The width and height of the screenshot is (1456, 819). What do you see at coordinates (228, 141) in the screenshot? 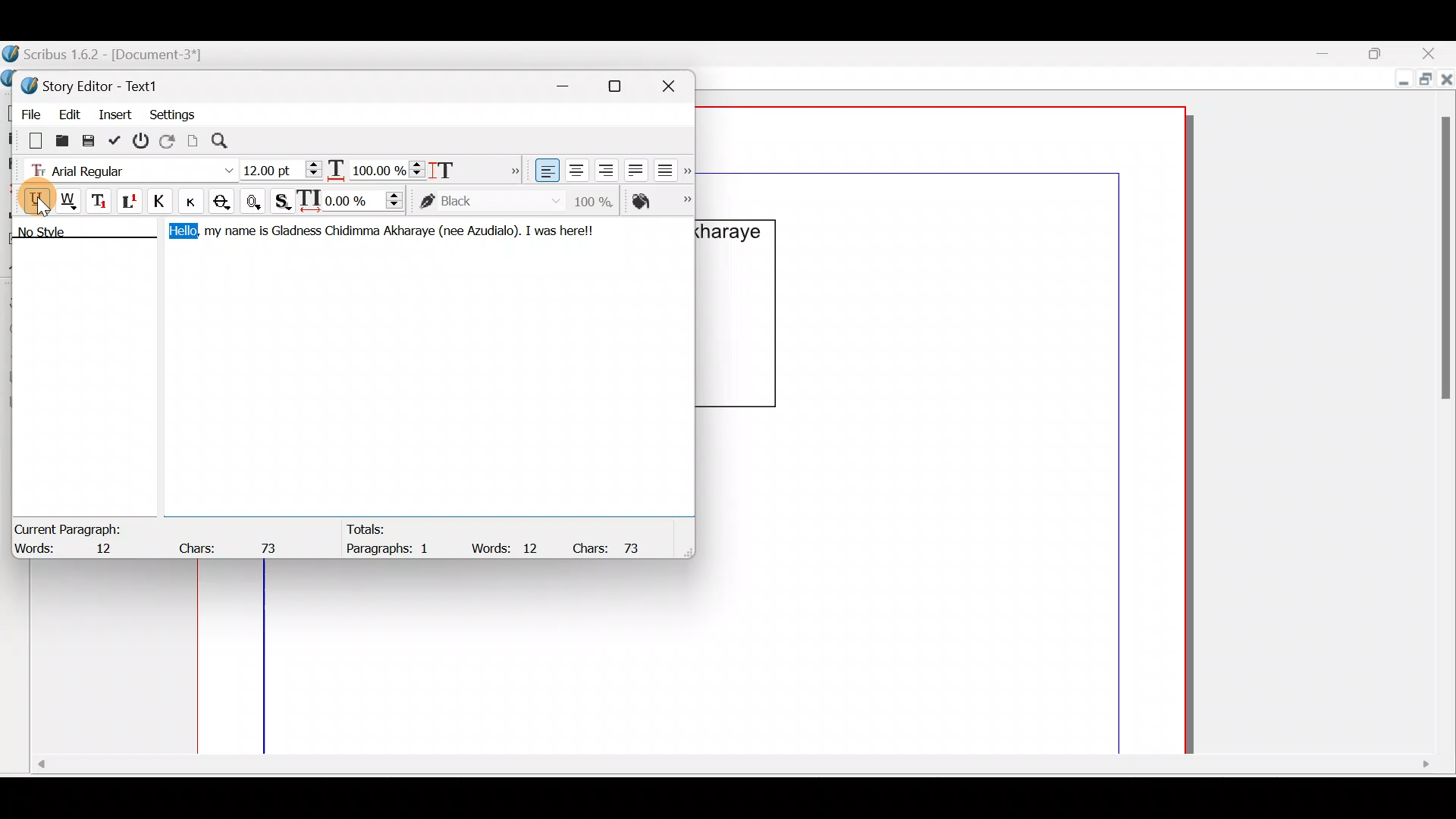
I see `Search/replace` at bounding box center [228, 141].